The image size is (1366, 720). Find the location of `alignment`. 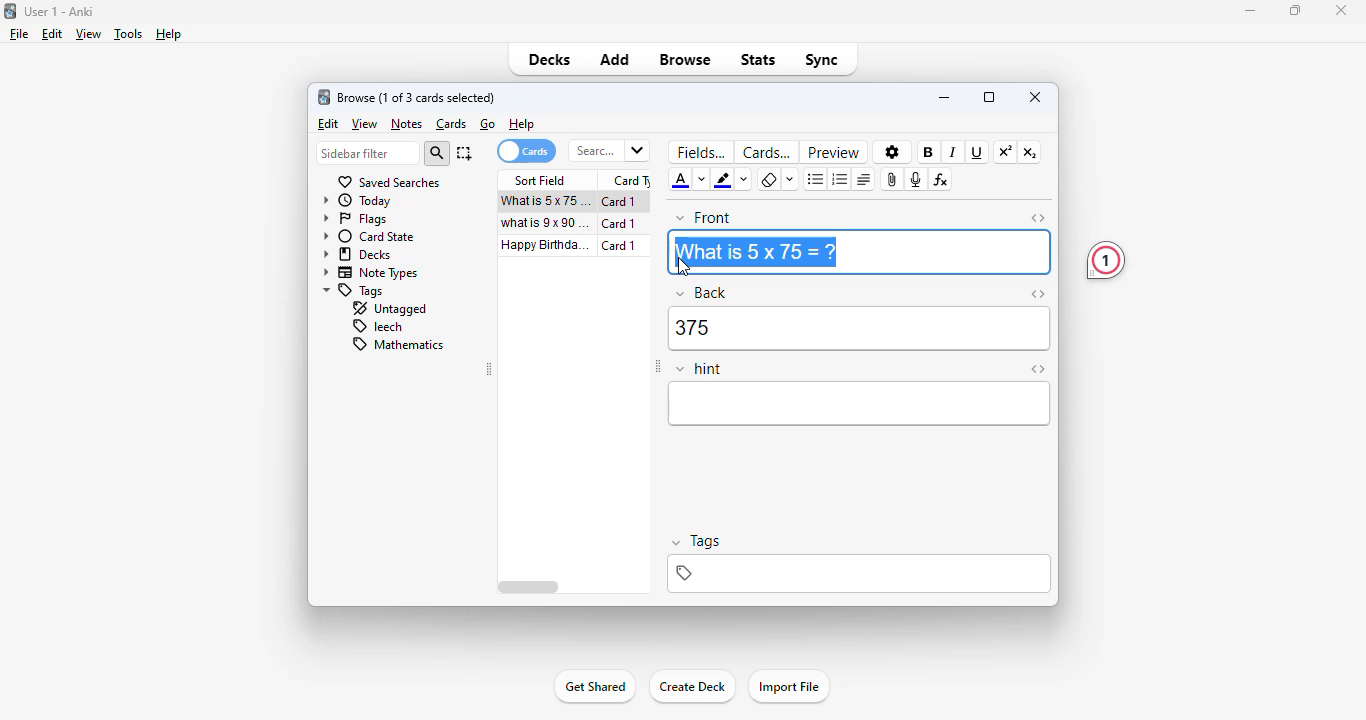

alignment is located at coordinates (864, 180).